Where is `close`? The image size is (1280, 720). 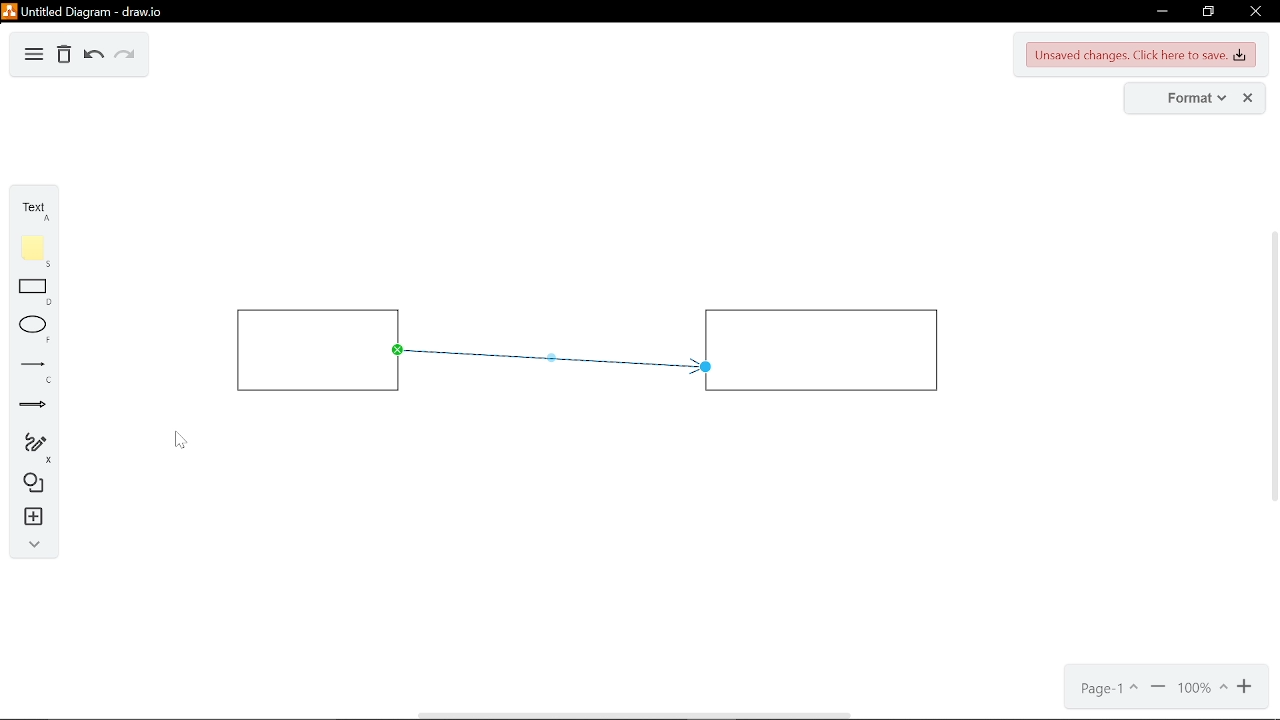 close is located at coordinates (1248, 98).